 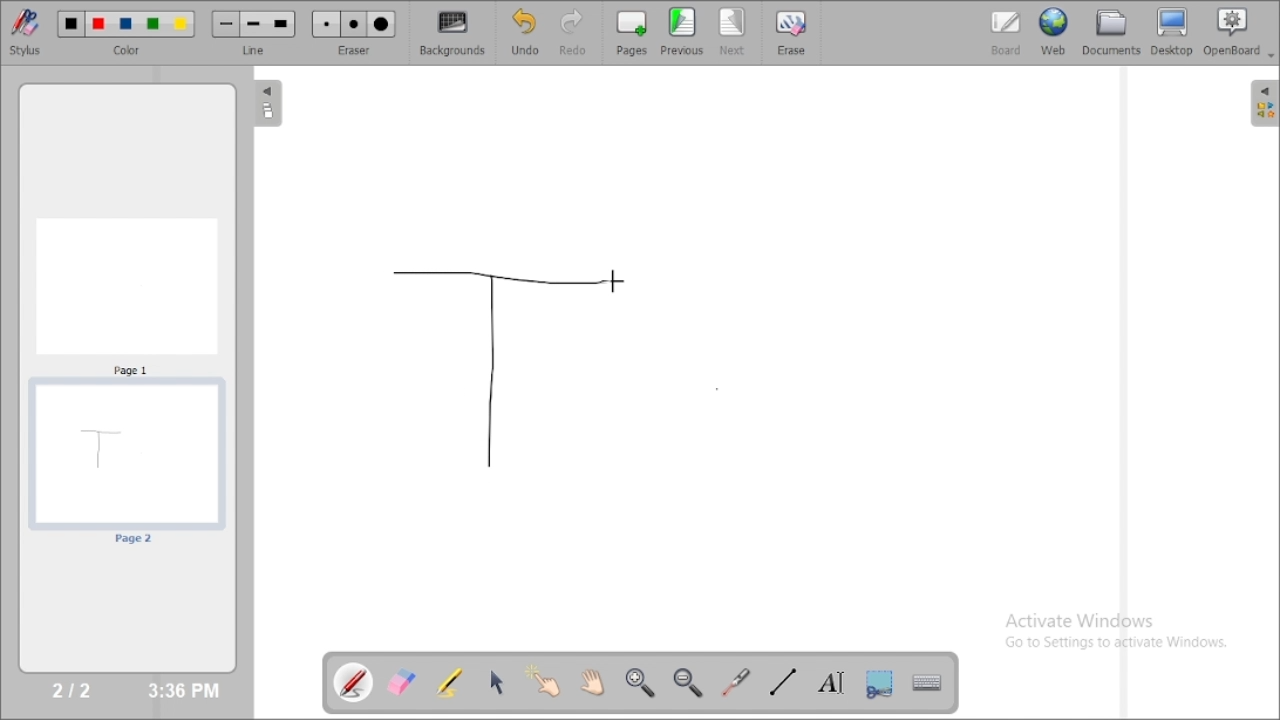 I want to click on undo, so click(x=524, y=32).